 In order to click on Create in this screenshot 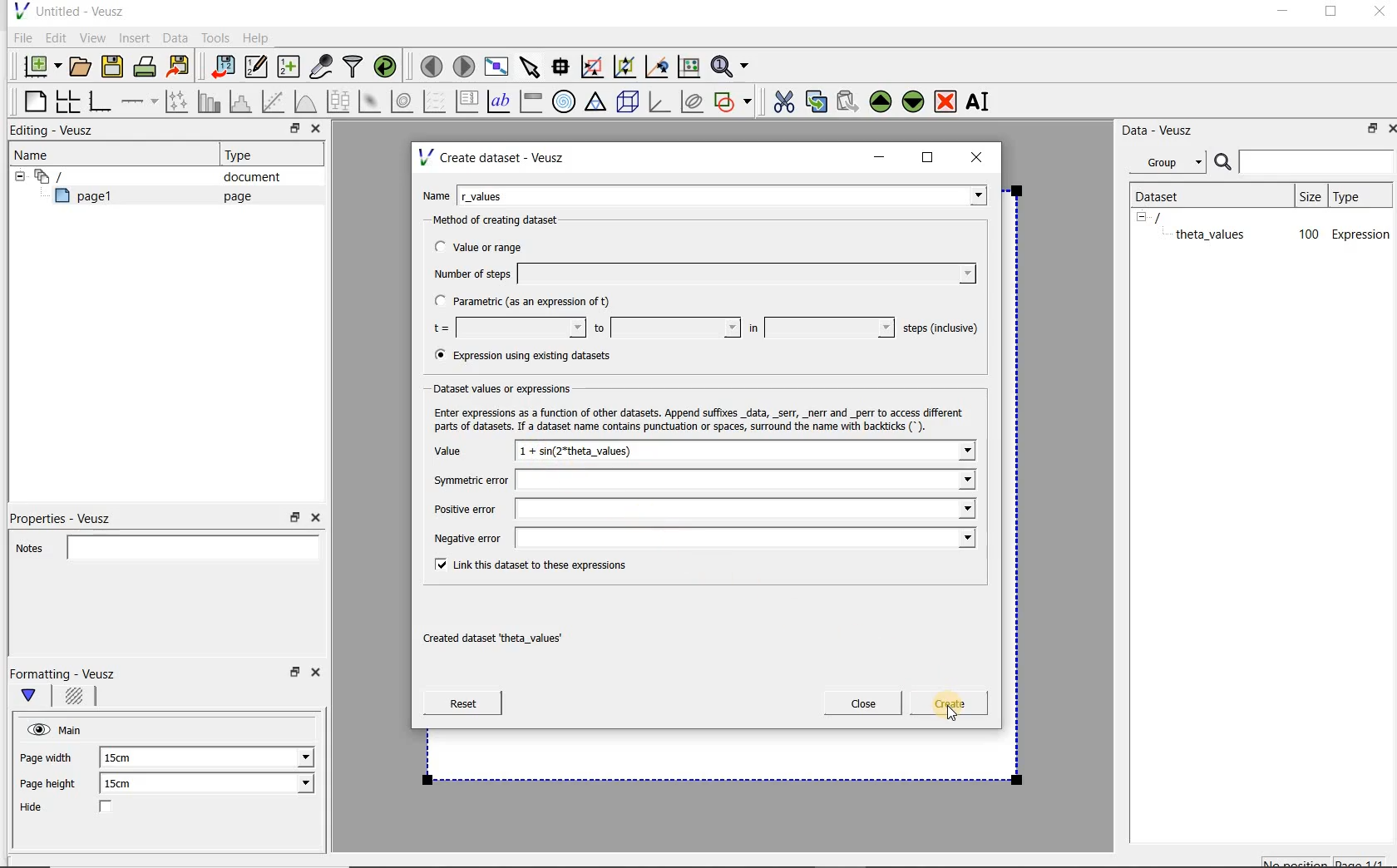, I will do `click(944, 706)`.